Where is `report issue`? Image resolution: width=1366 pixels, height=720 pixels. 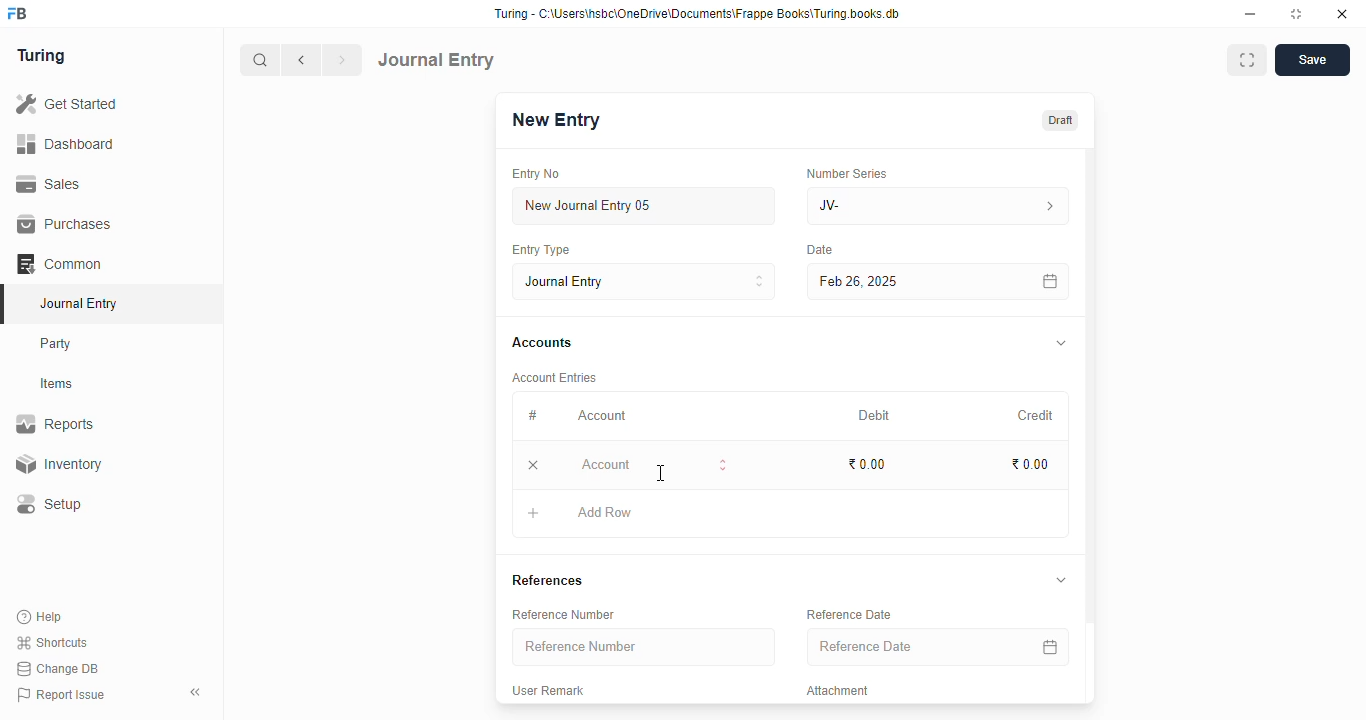
report issue is located at coordinates (61, 695).